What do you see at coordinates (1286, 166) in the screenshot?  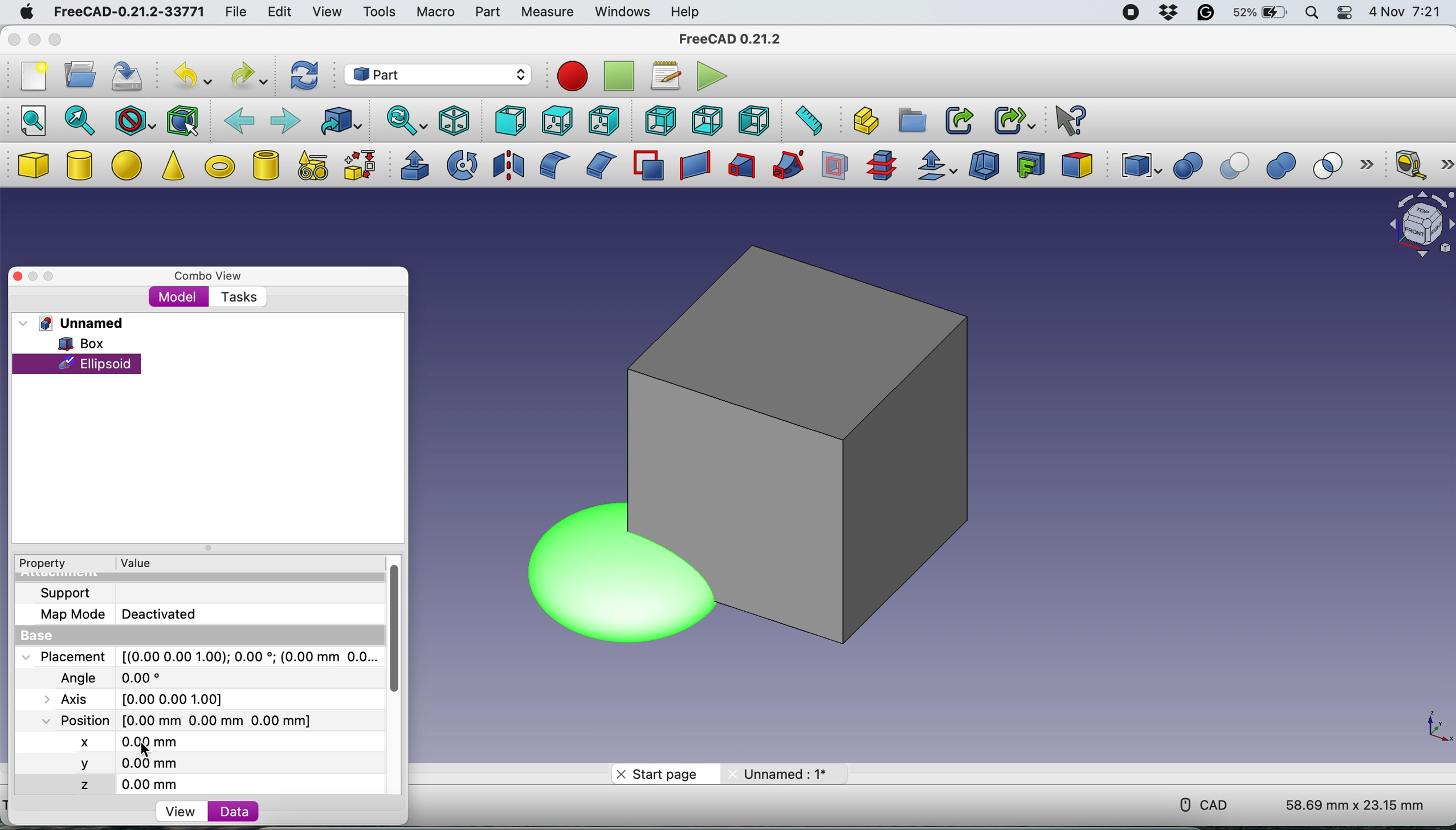 I see `union` at bounding box center [1286, 166].